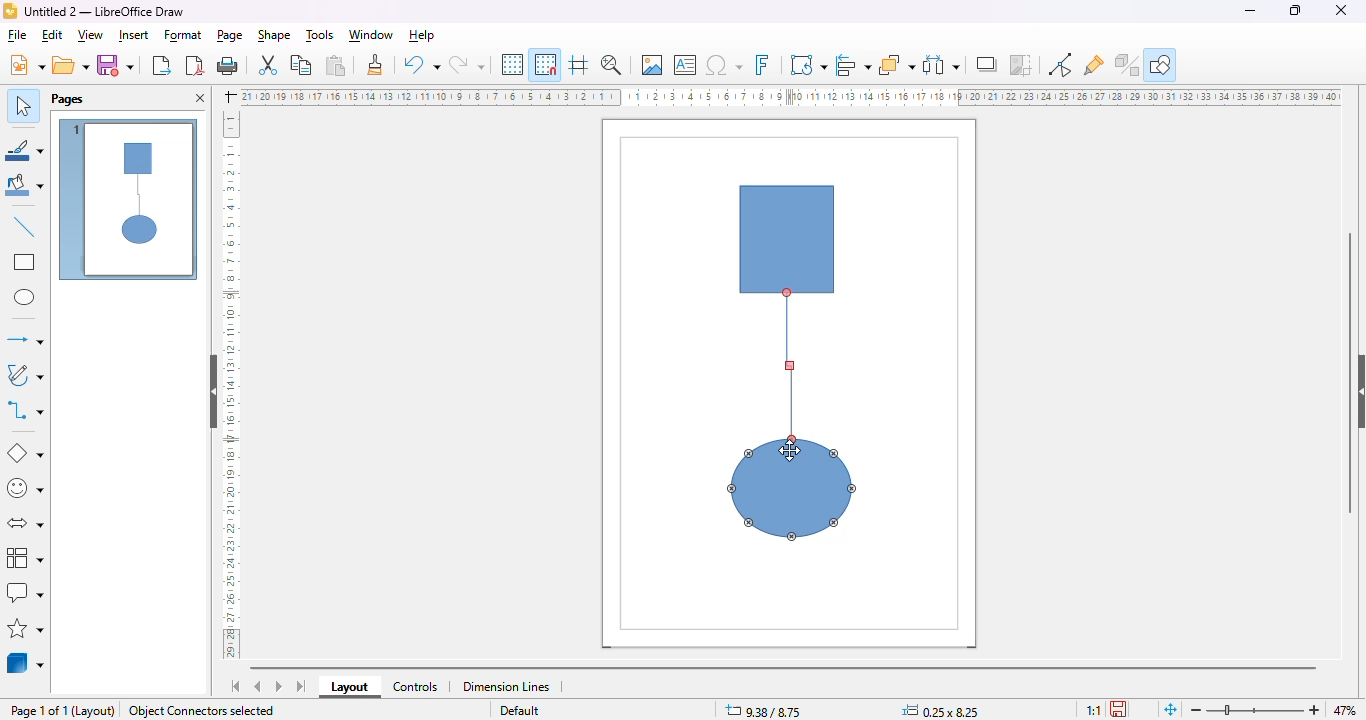 This screenshot has width=1366, height=720. What do you see at coordinates (578, 65) in the screenshot?
I see `helplines while moving` at bounding box center [578, 65].